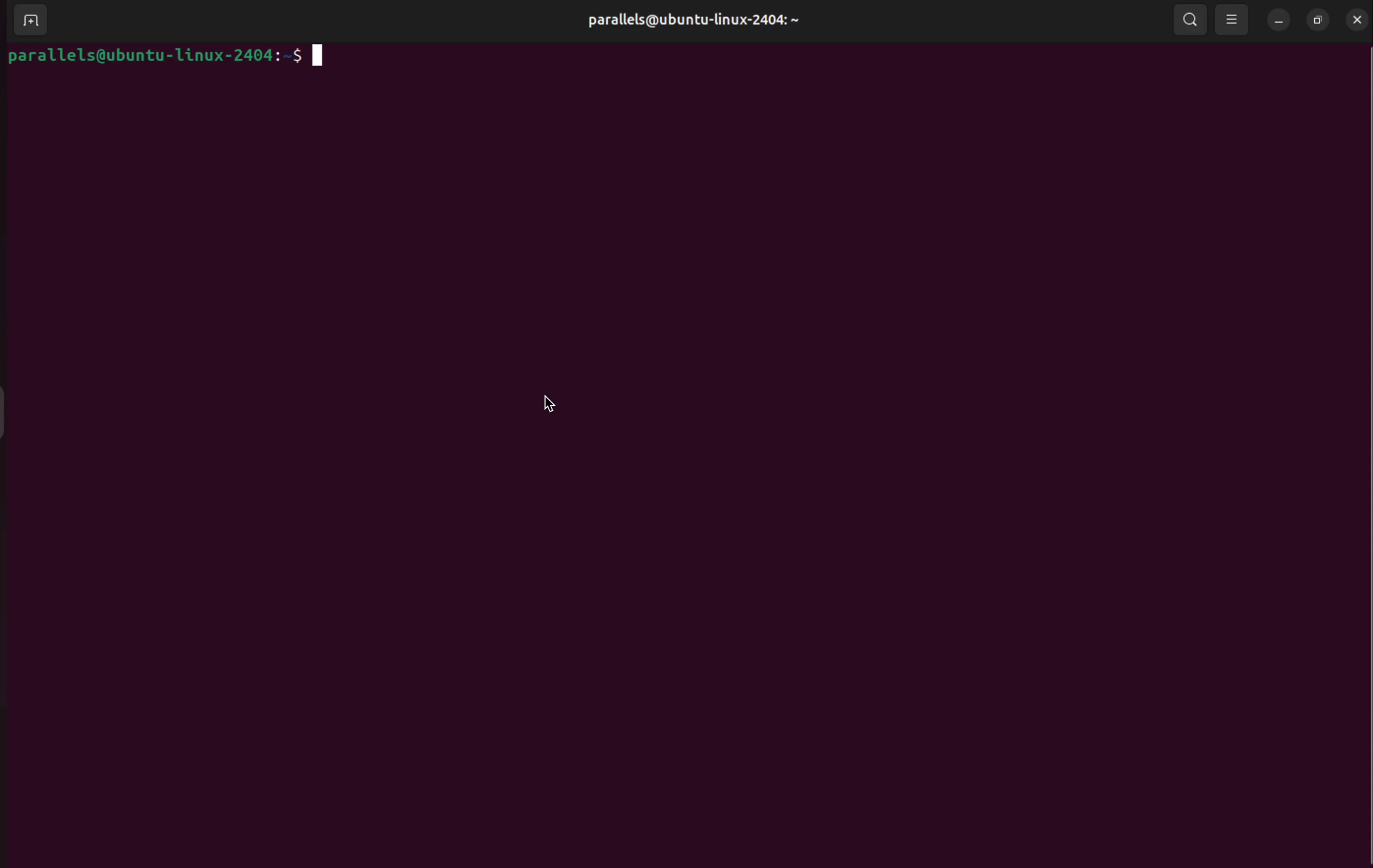  I want to click on Scrollbar, so click(1362, 454).